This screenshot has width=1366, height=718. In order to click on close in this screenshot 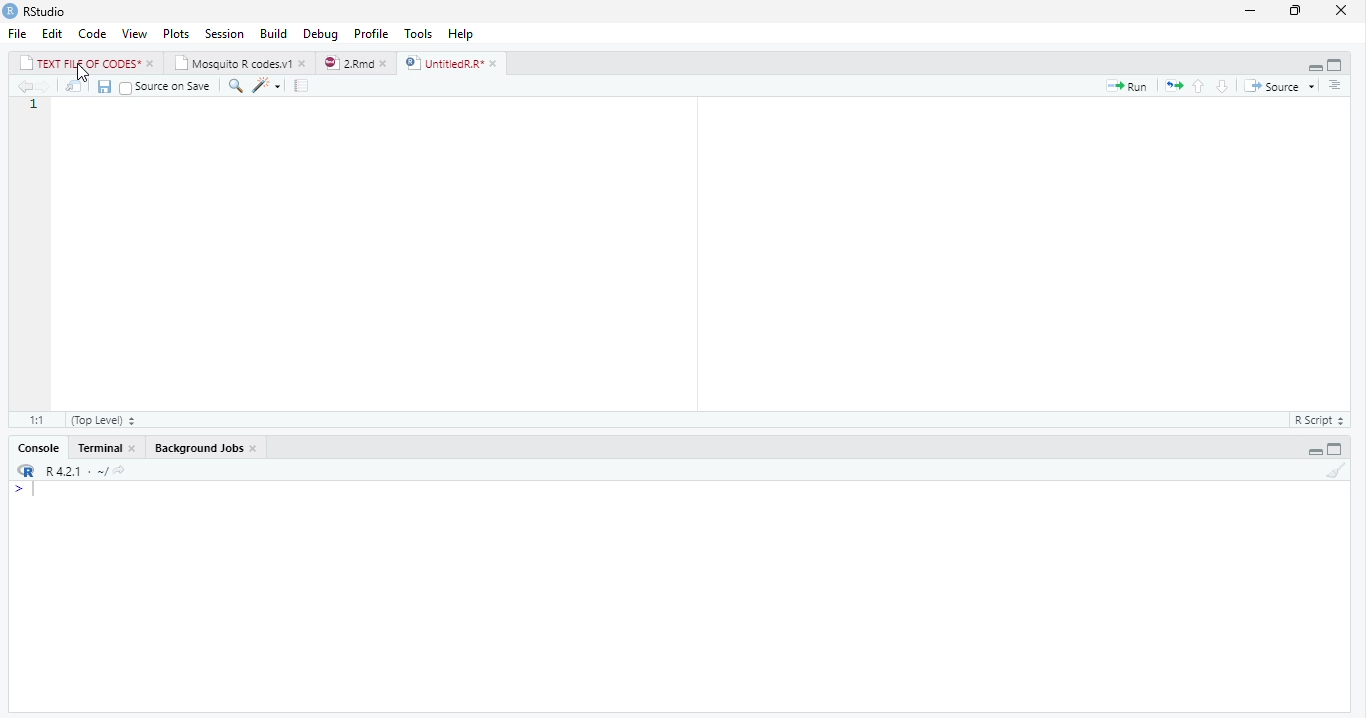, I will do `click(496, 64)`.